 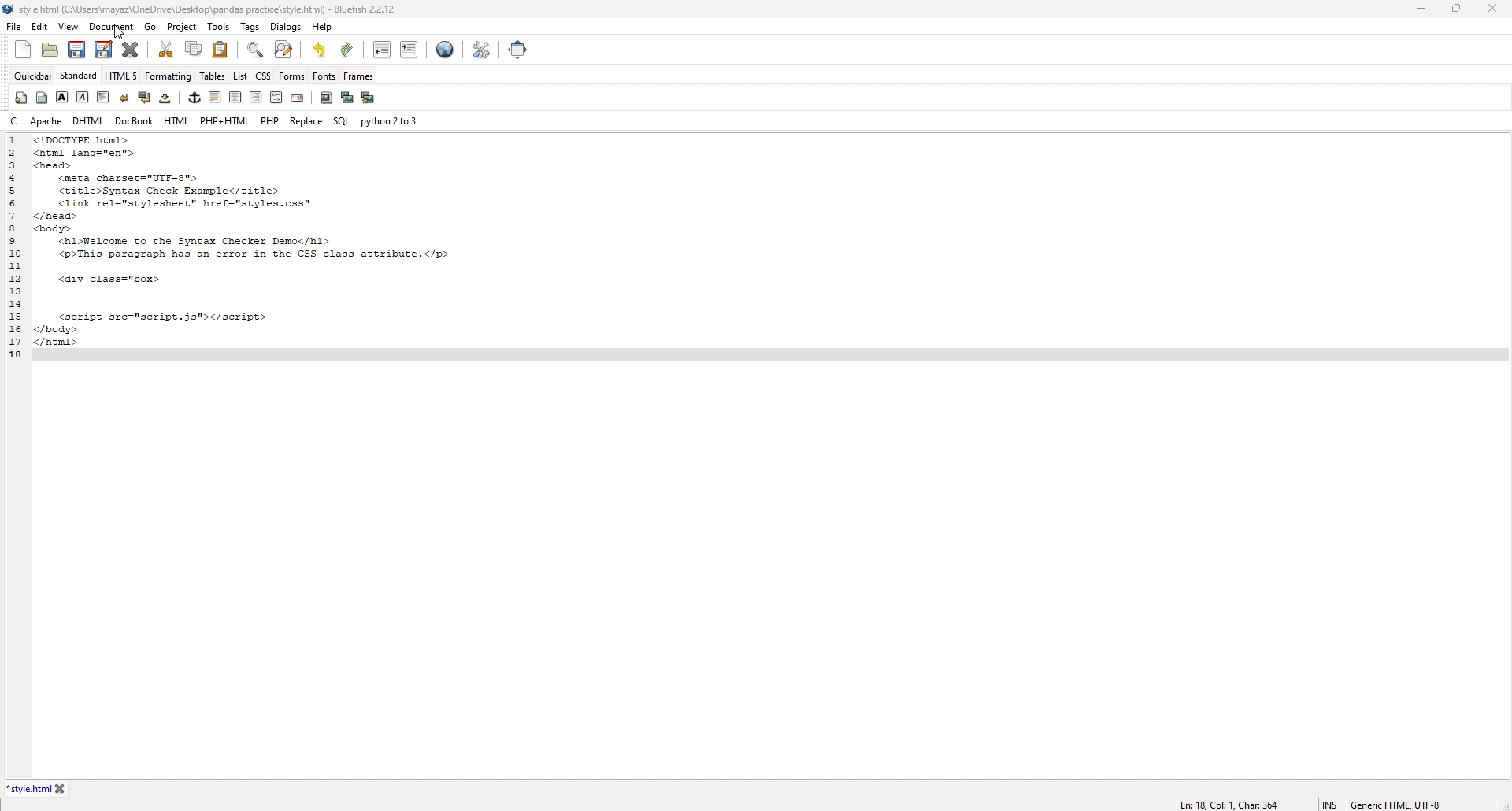 I want to click on php, so click(x=271, y=120).